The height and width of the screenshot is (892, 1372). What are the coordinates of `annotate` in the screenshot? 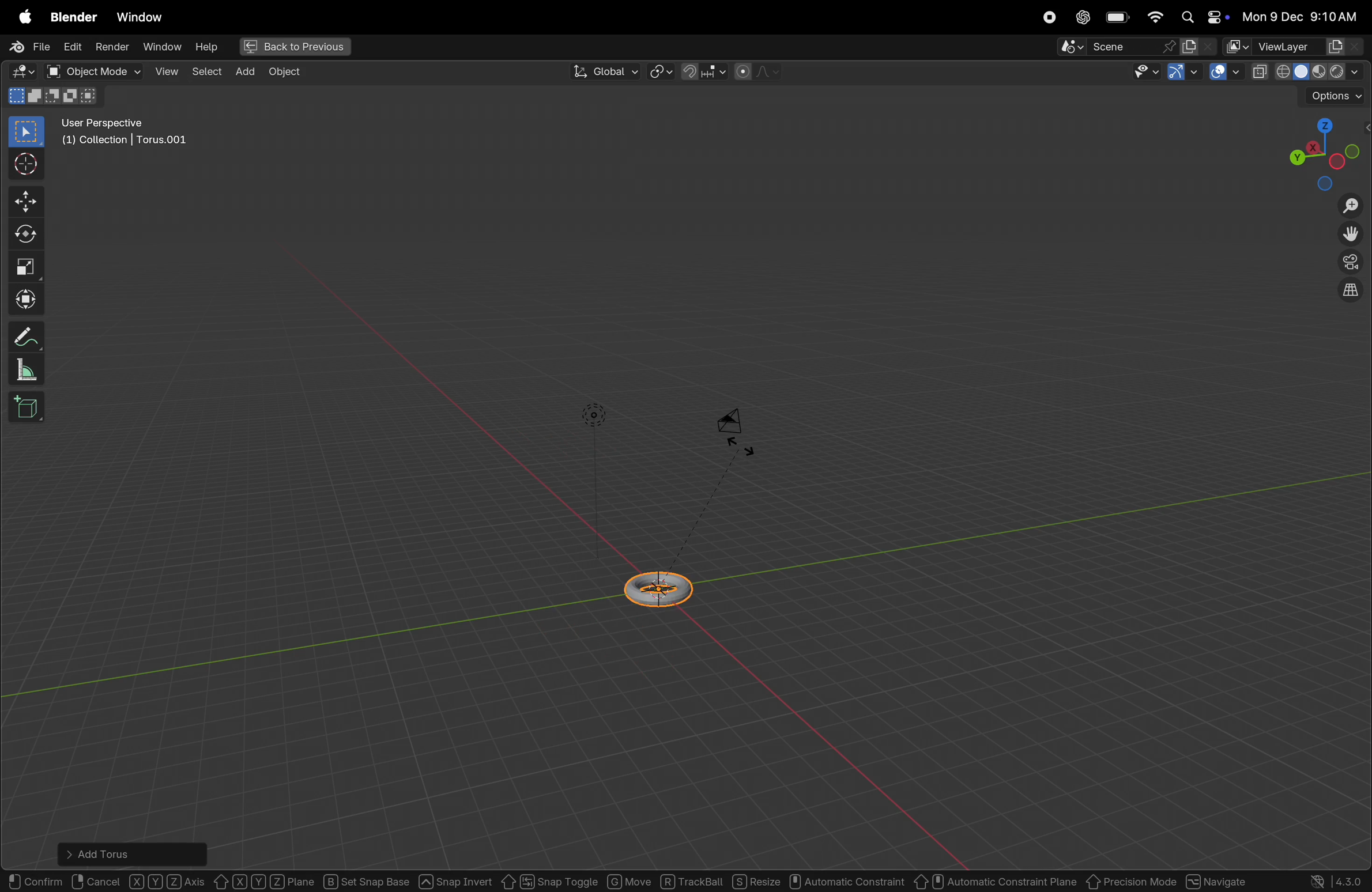 It's located at (28, 334).